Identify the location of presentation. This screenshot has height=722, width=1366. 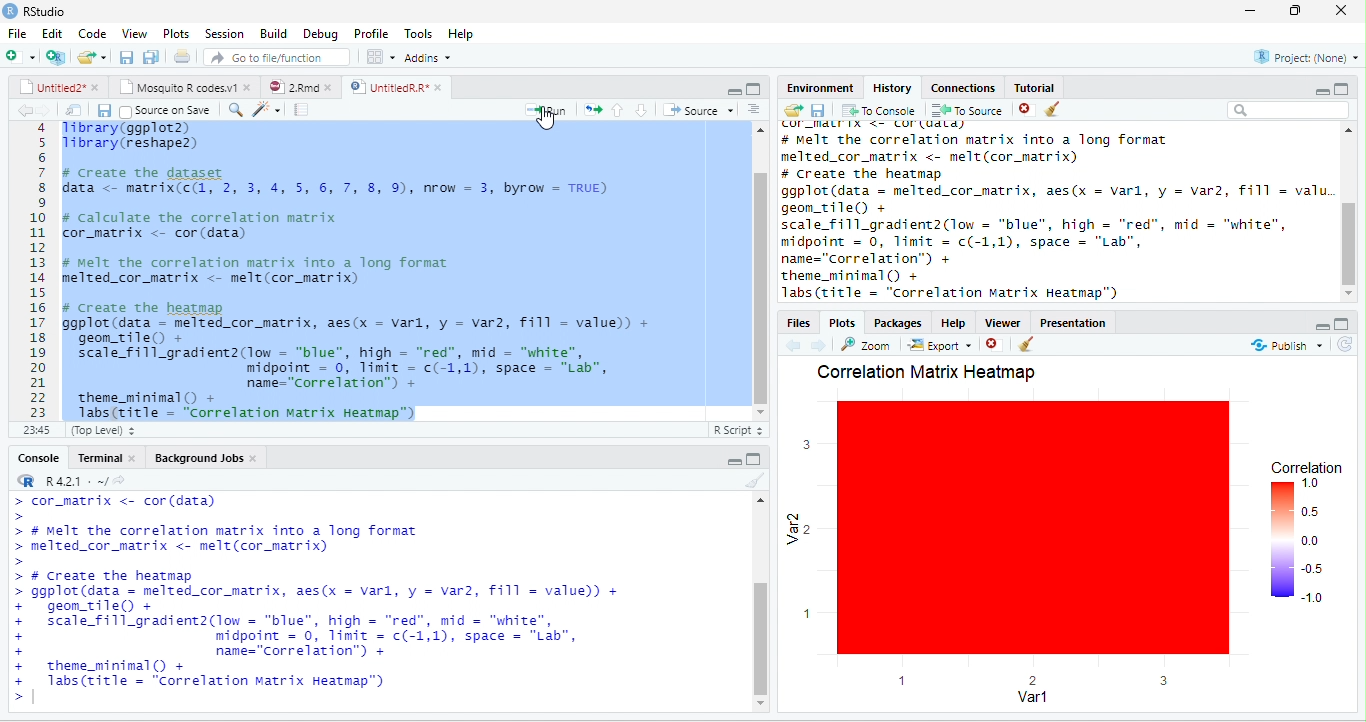
(1077, 320).